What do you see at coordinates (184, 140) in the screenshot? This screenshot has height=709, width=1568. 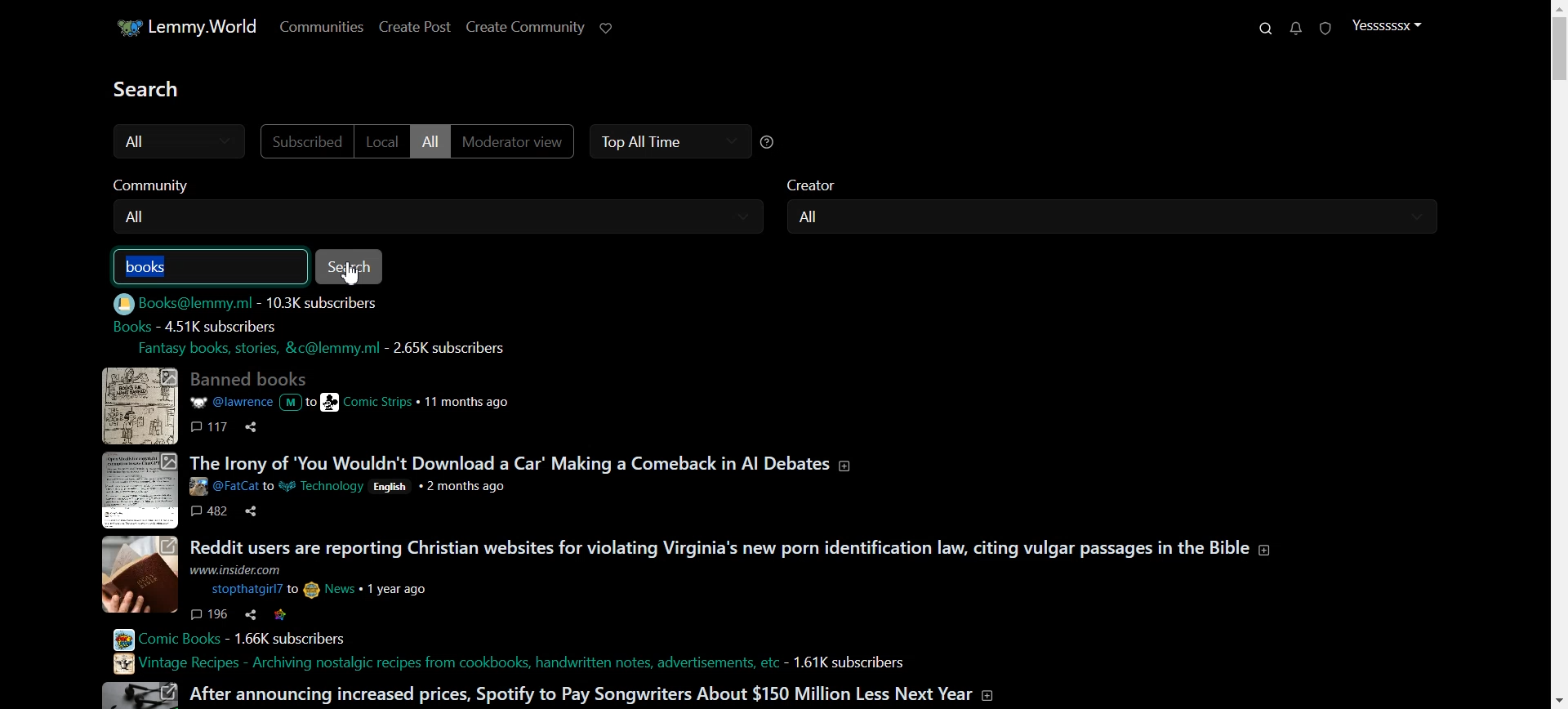 I see `All` at bounding box center [184, 140].